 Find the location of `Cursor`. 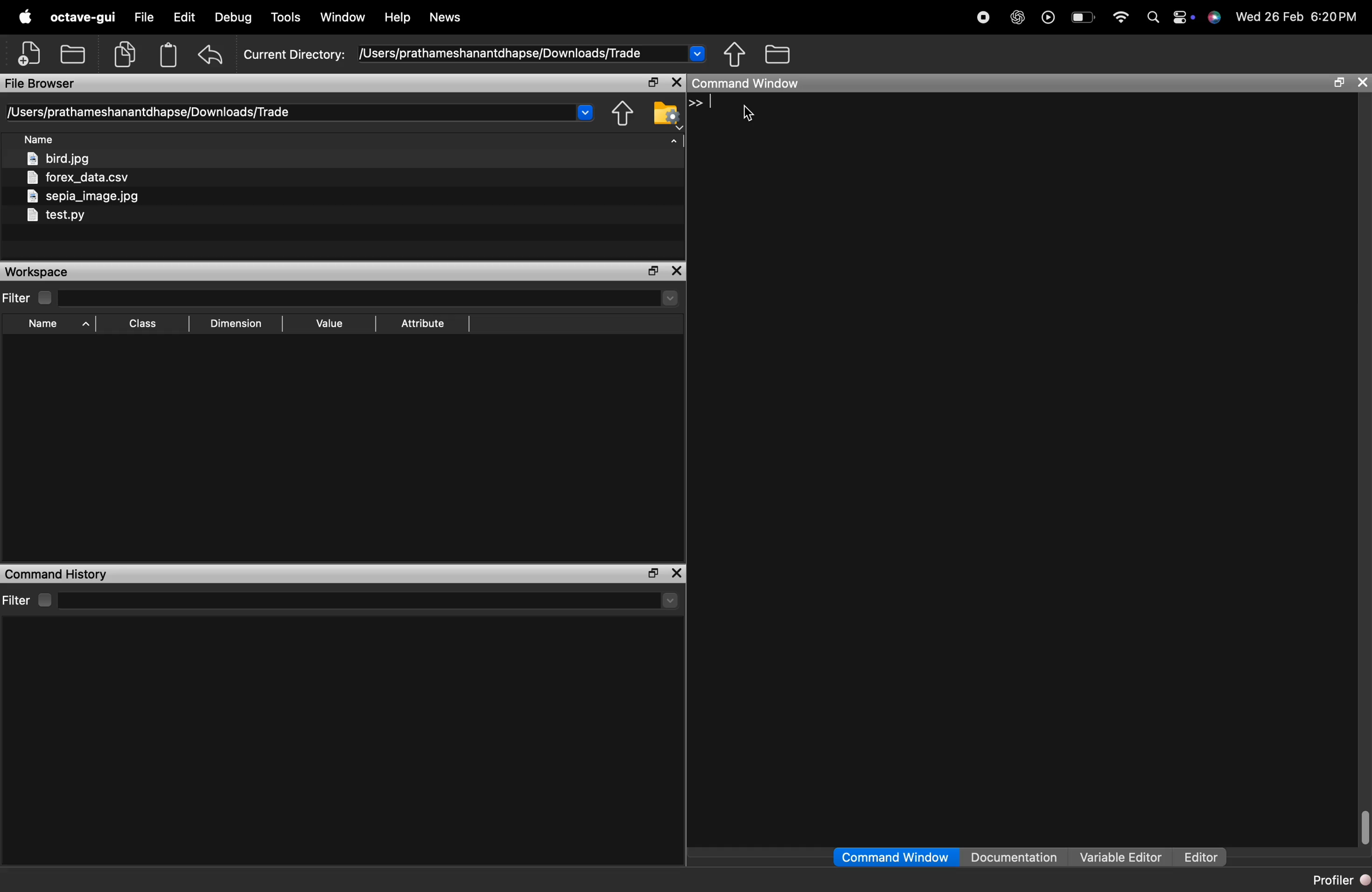

Cursor is located at coordinates (747, 114).